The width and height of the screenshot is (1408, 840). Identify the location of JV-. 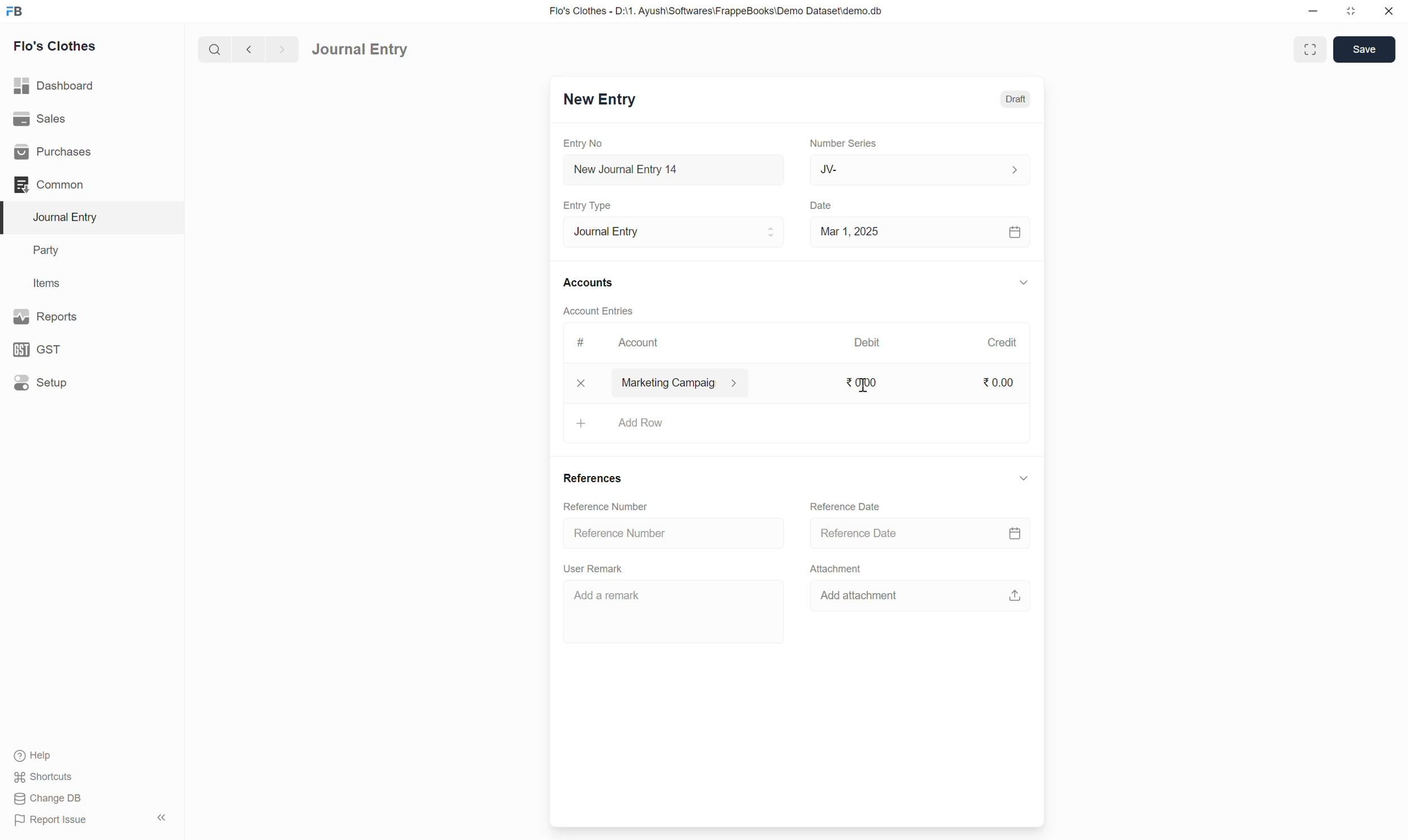
(921, 169).